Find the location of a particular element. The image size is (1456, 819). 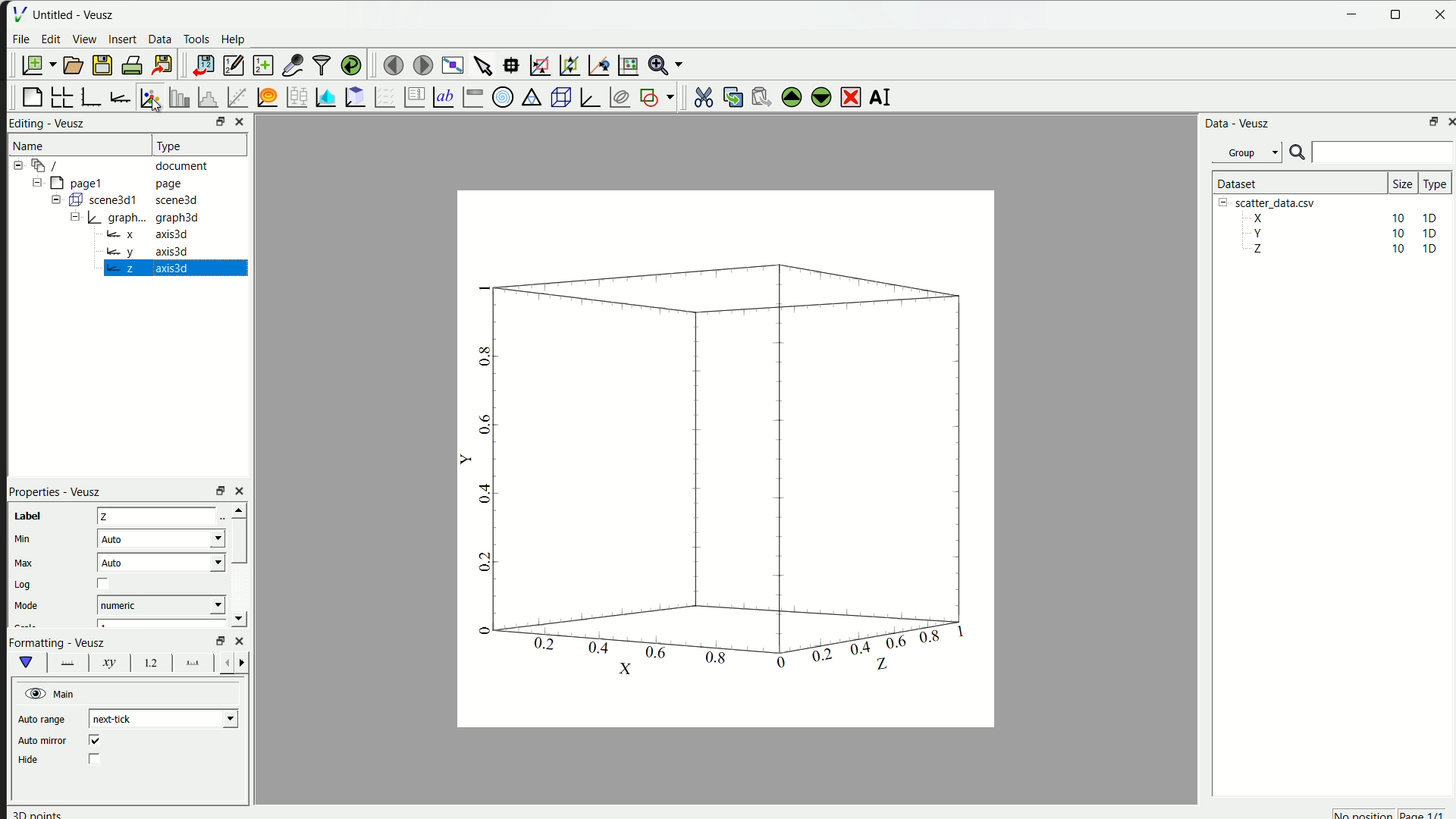

Editing is located at coordinates (27, 122).